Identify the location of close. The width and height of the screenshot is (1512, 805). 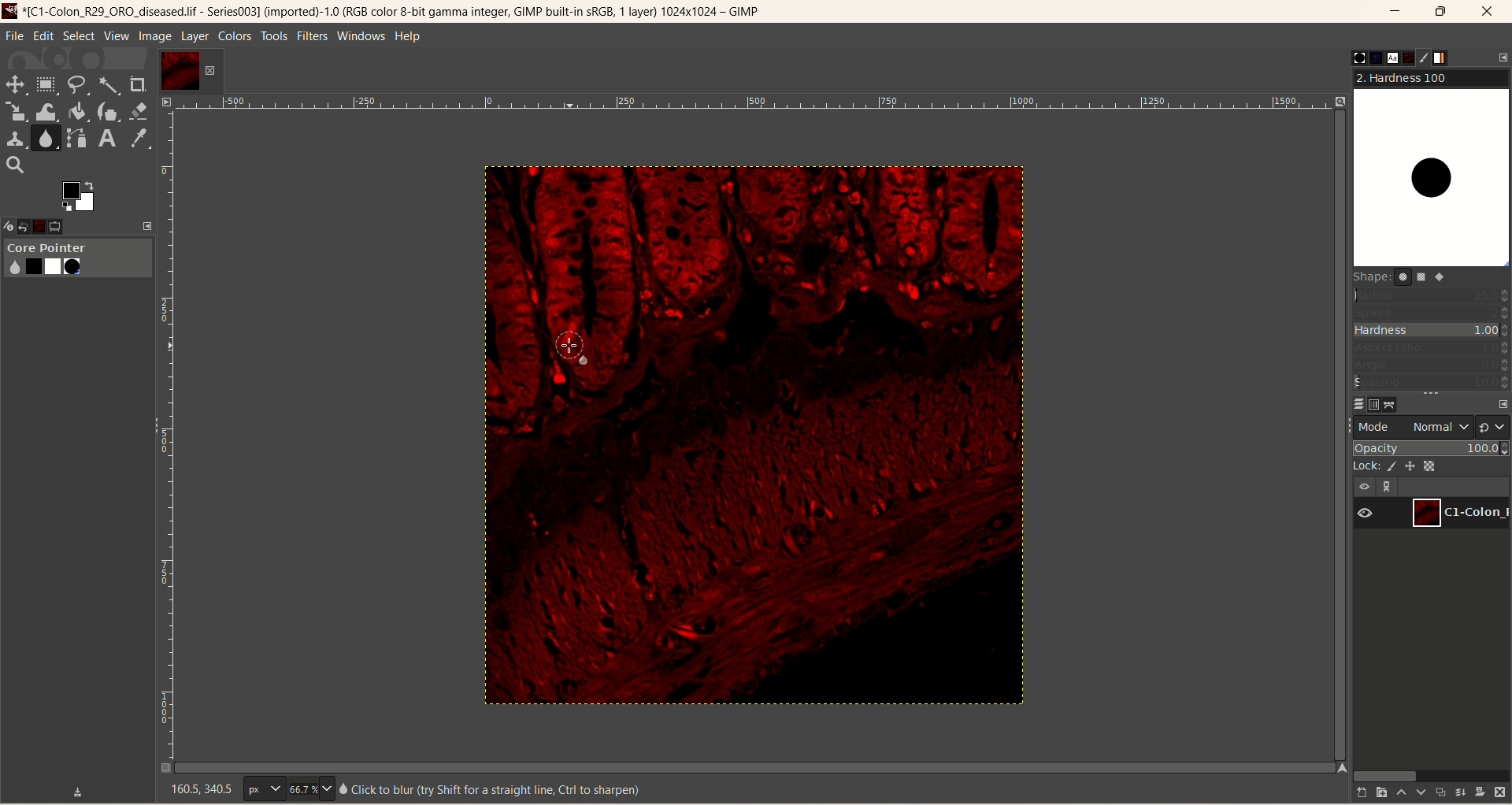
(1489, 12).